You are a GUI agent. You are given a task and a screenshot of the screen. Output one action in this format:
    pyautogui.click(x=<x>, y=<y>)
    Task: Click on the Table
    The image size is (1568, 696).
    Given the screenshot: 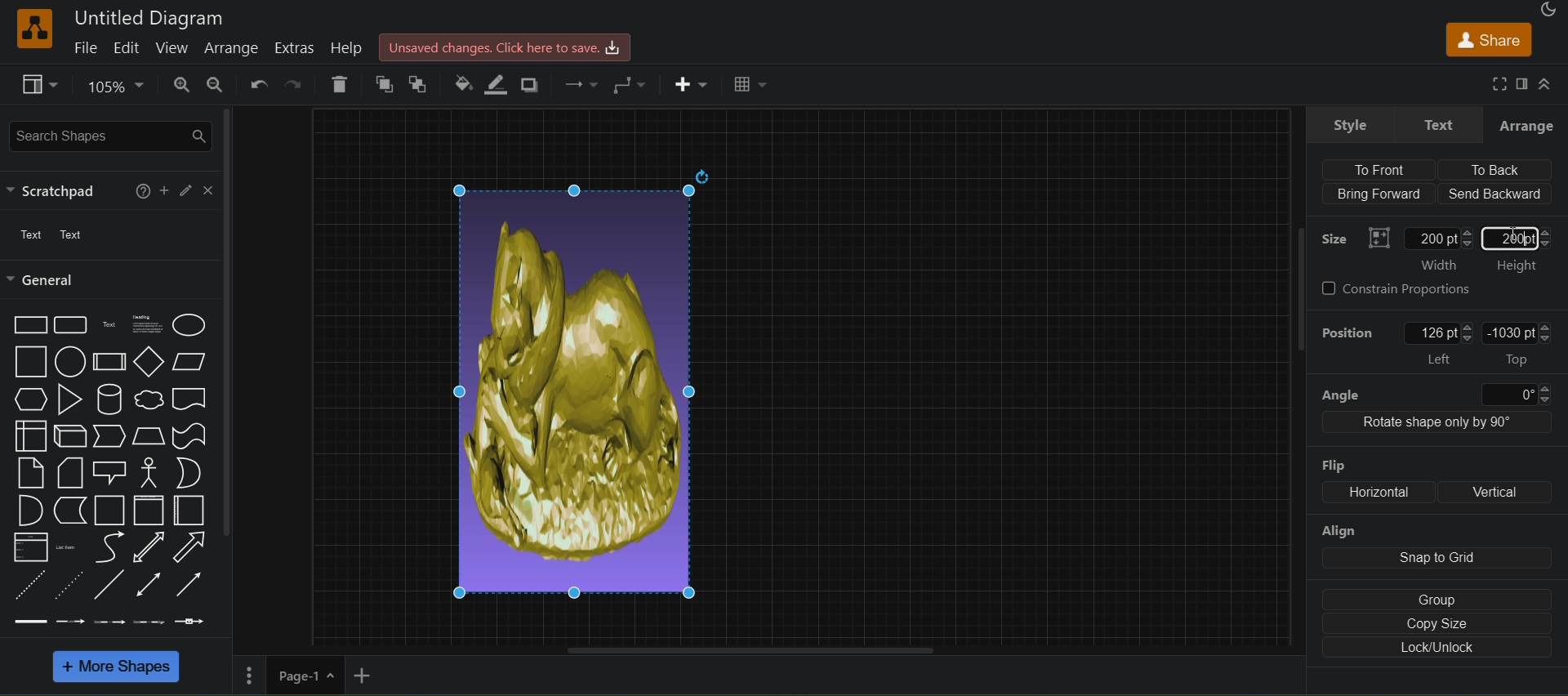 What is the action you would take?
    pyautogui.click(x=748, y=86)
    